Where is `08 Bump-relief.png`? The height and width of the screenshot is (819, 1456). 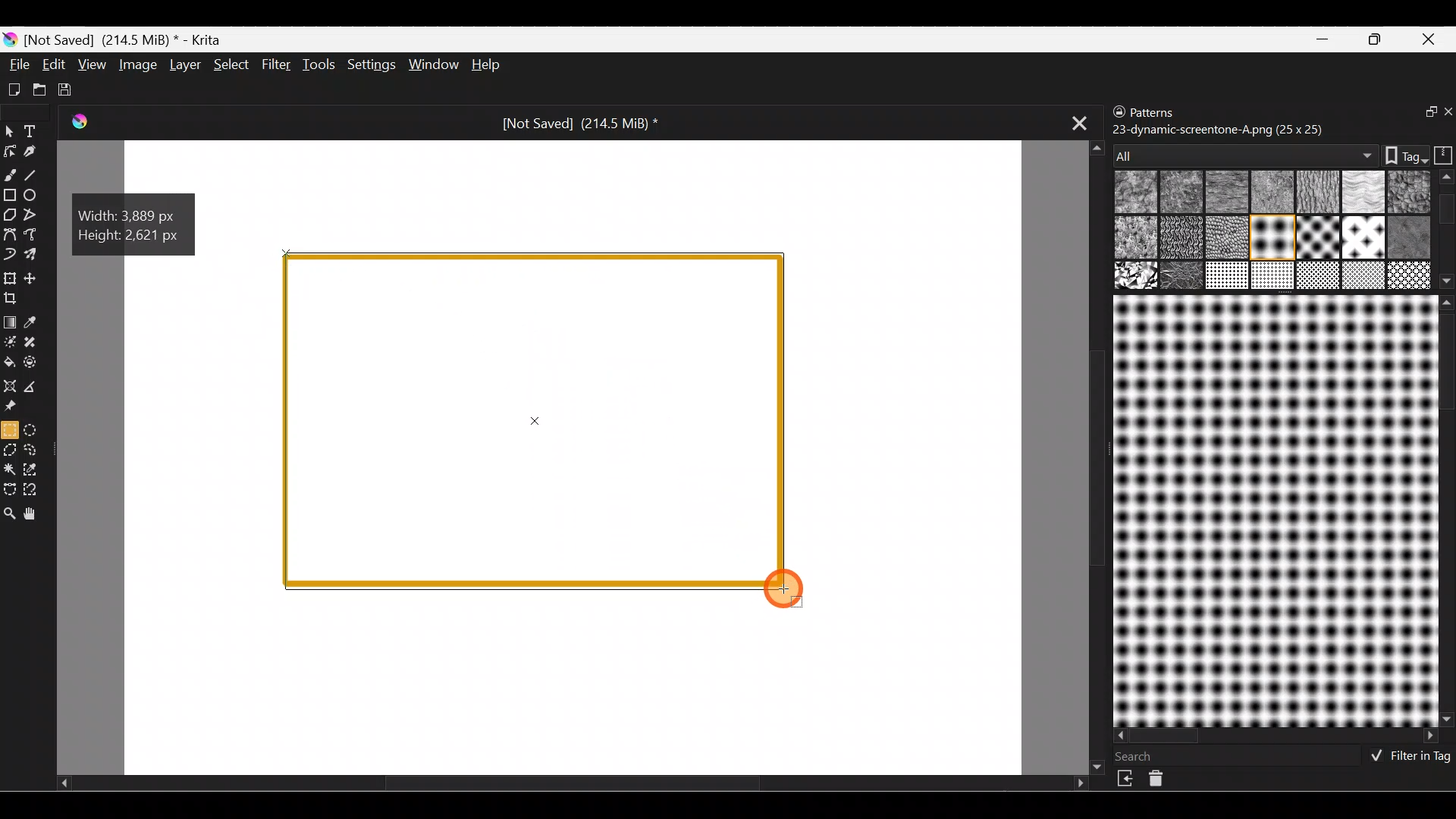
08 Bump-relief.png is located at coordinates (1139, 239).